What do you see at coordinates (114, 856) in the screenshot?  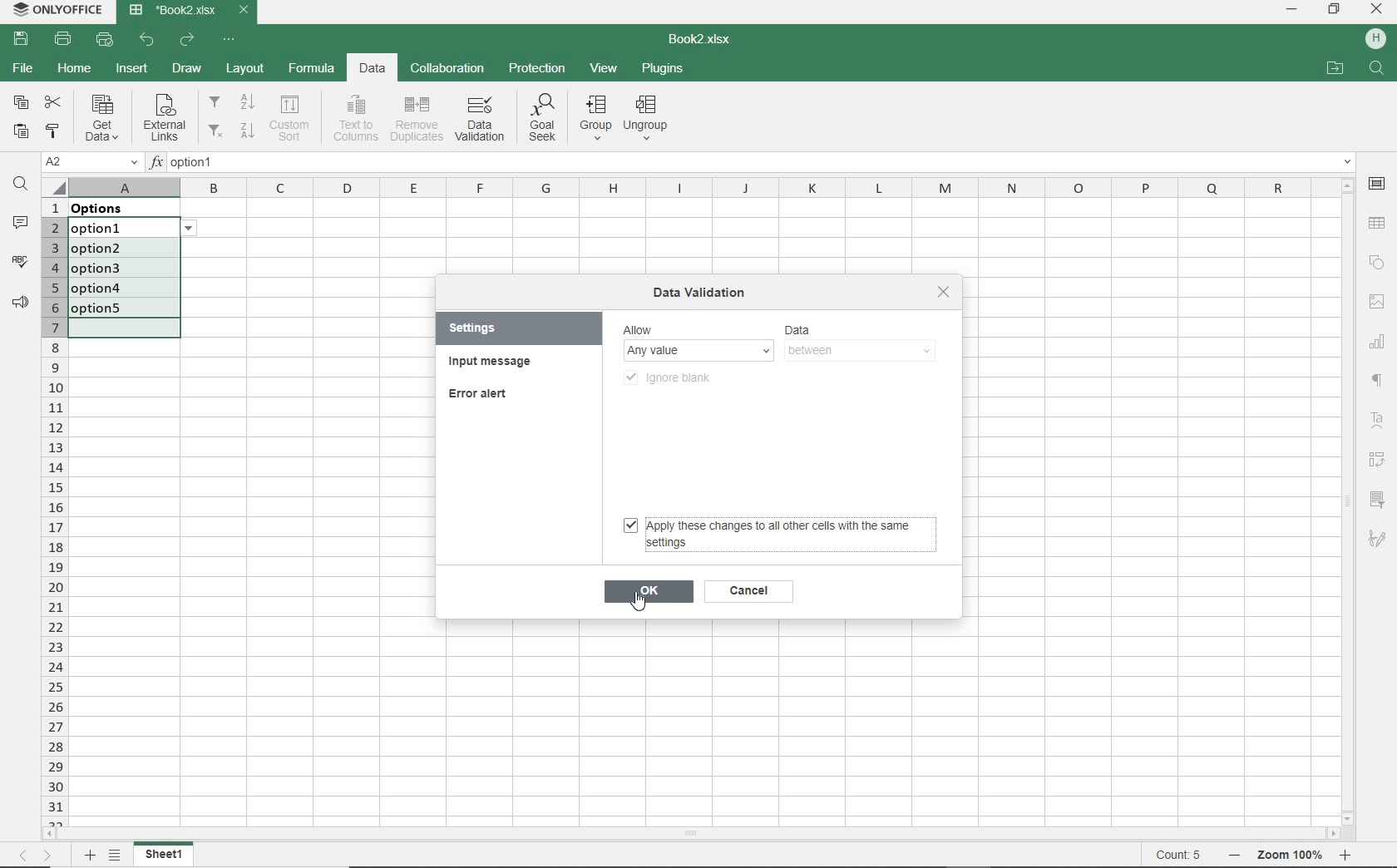 I see `LIST OF SHEETS` at bounding box center [114, 856].